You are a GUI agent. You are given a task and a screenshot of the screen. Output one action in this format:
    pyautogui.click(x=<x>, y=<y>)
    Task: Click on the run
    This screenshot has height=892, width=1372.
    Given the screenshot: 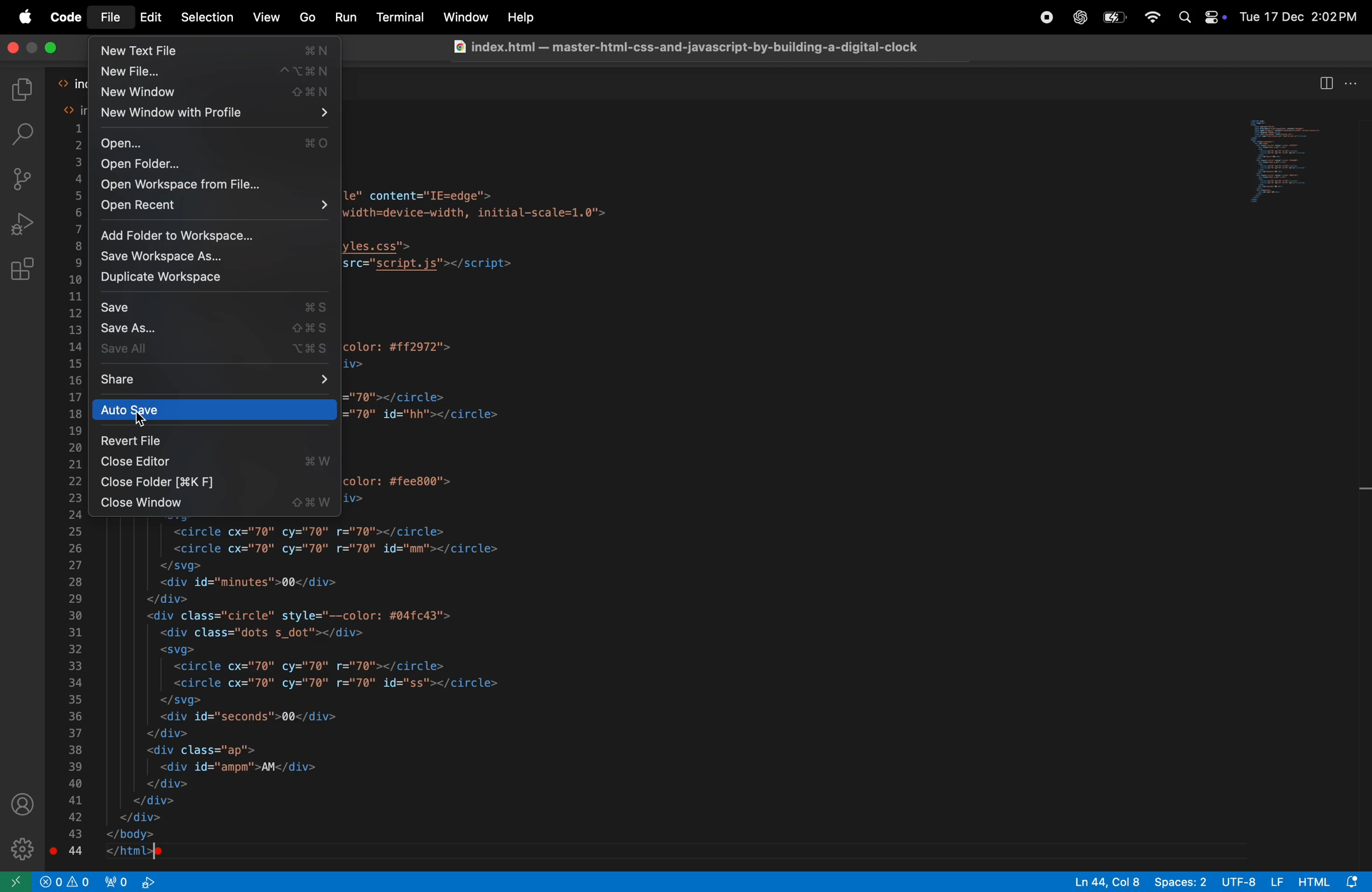 What is the action you would take?
    pyautogui.click(x=348, y=17)
    